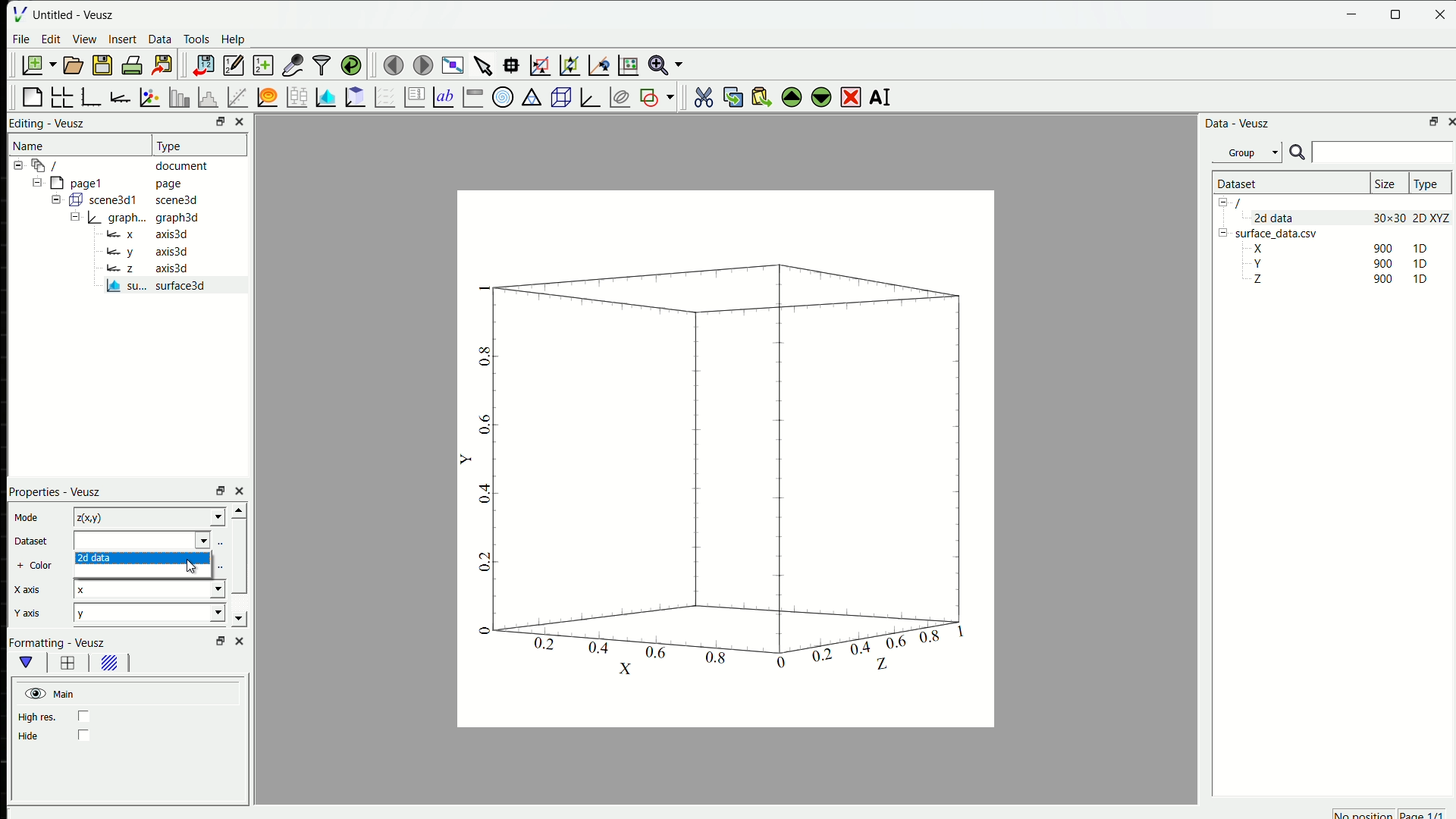  I want to click on click to recenter graph axis, so click(600, 65).